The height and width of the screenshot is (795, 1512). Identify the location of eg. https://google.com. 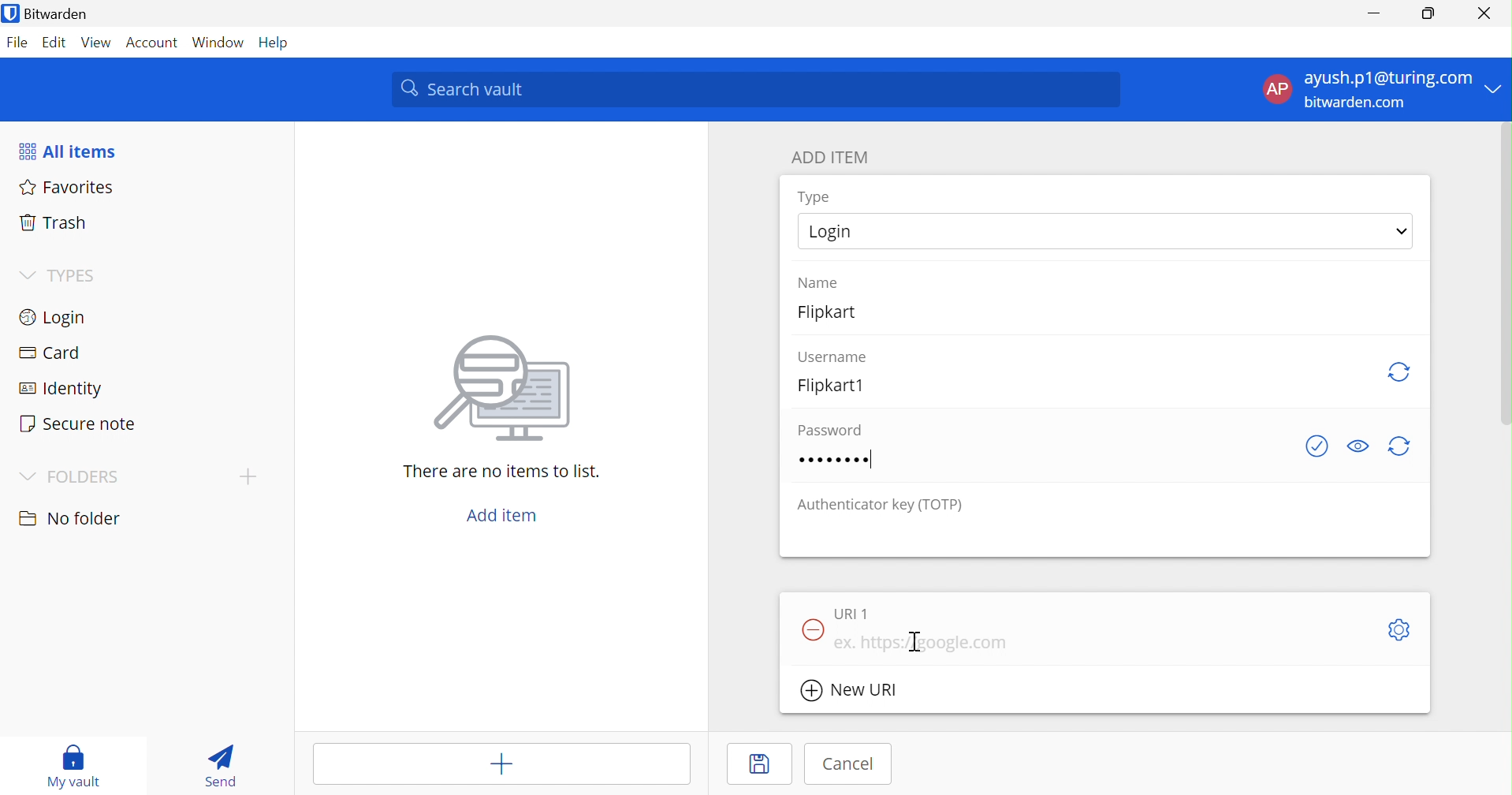
(922, 644).